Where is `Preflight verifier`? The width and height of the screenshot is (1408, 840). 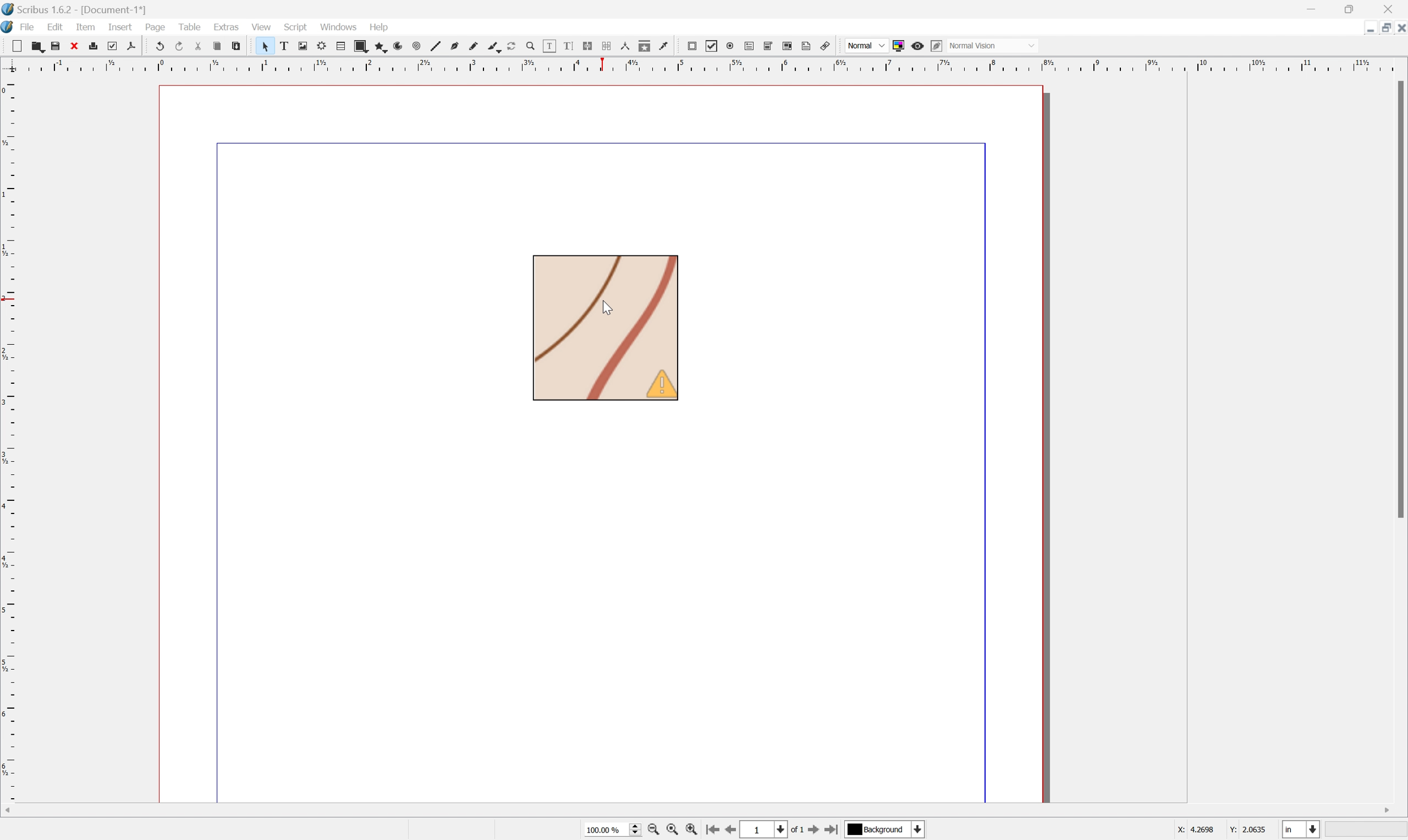 Preflight verifier is located at coordinates (115, 47).